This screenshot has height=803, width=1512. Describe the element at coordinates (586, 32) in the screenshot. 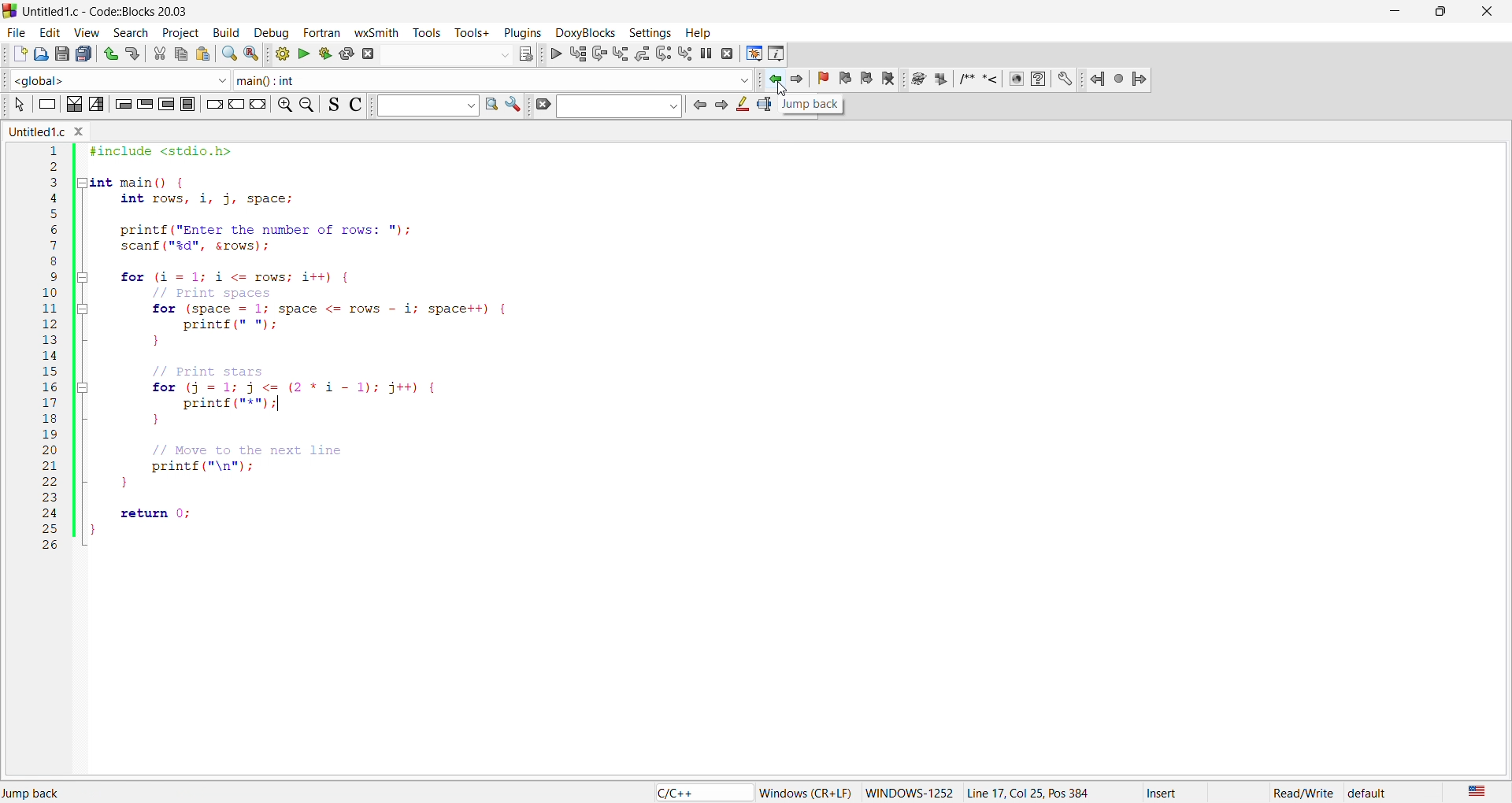

I see `doxyblocks` at that location.